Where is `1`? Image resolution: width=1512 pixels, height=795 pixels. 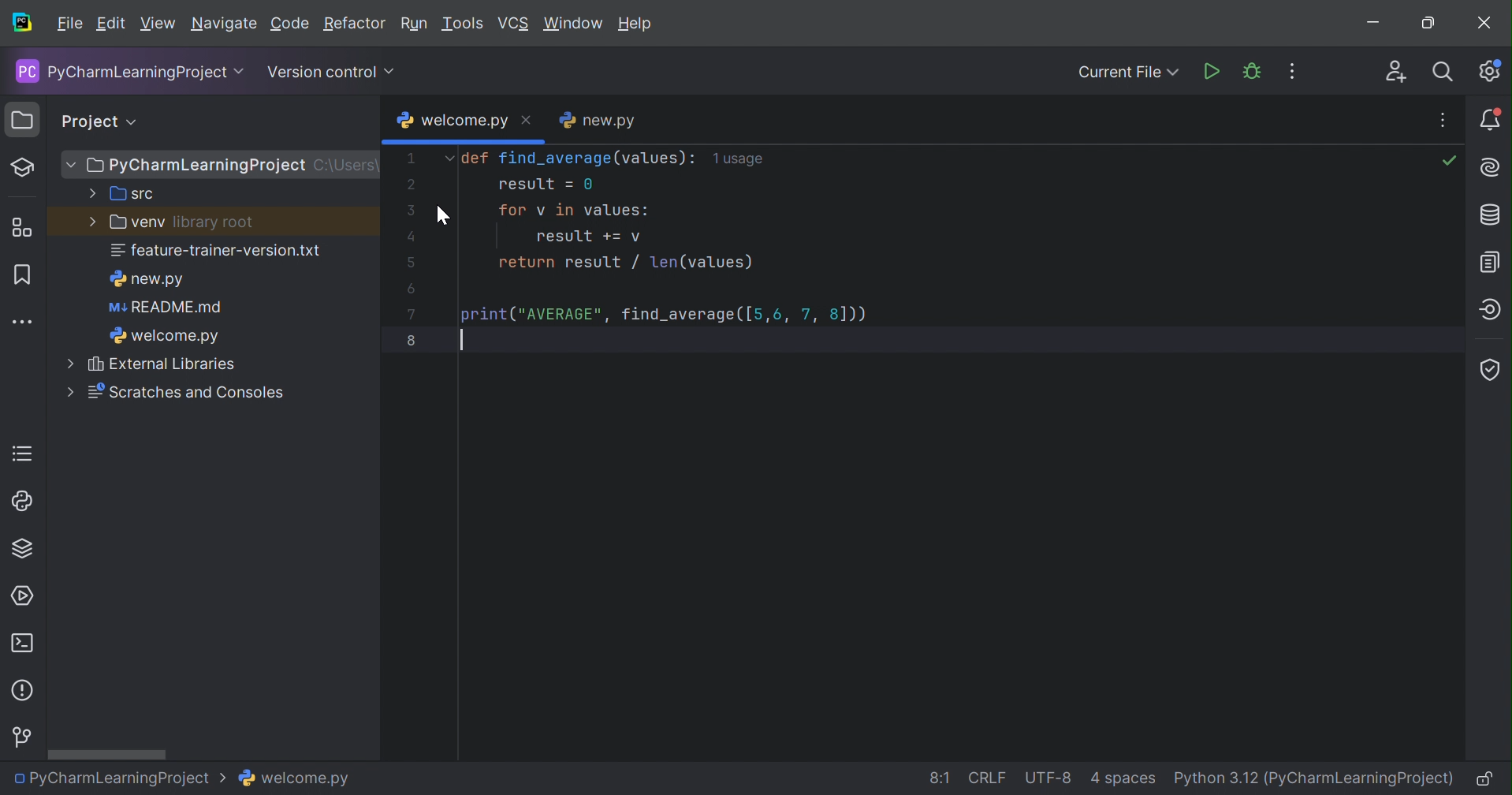
1 is located at coordinates (415, 159).